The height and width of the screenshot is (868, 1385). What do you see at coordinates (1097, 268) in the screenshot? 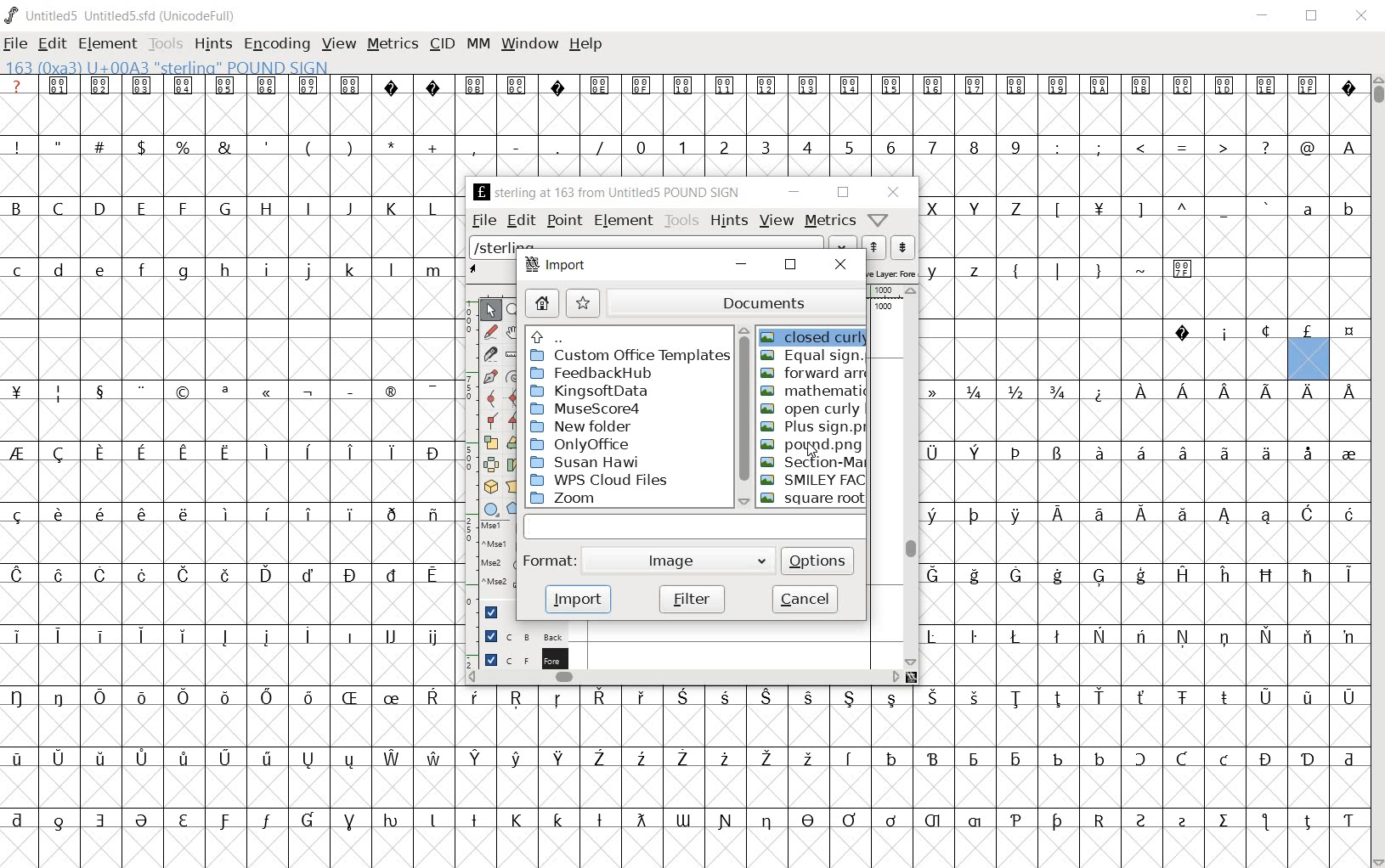
I see `}` at bounding box center [1097, 268].